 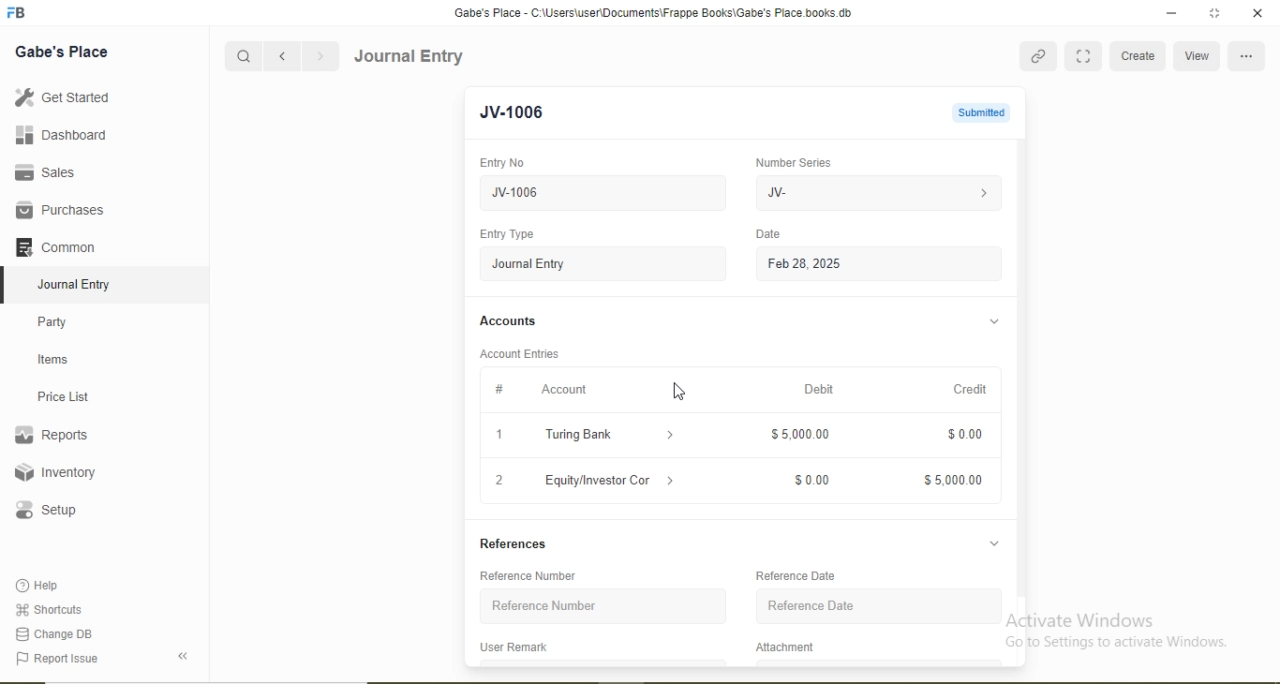 I want to click on Journal Entry, so click(x=410, y=56).